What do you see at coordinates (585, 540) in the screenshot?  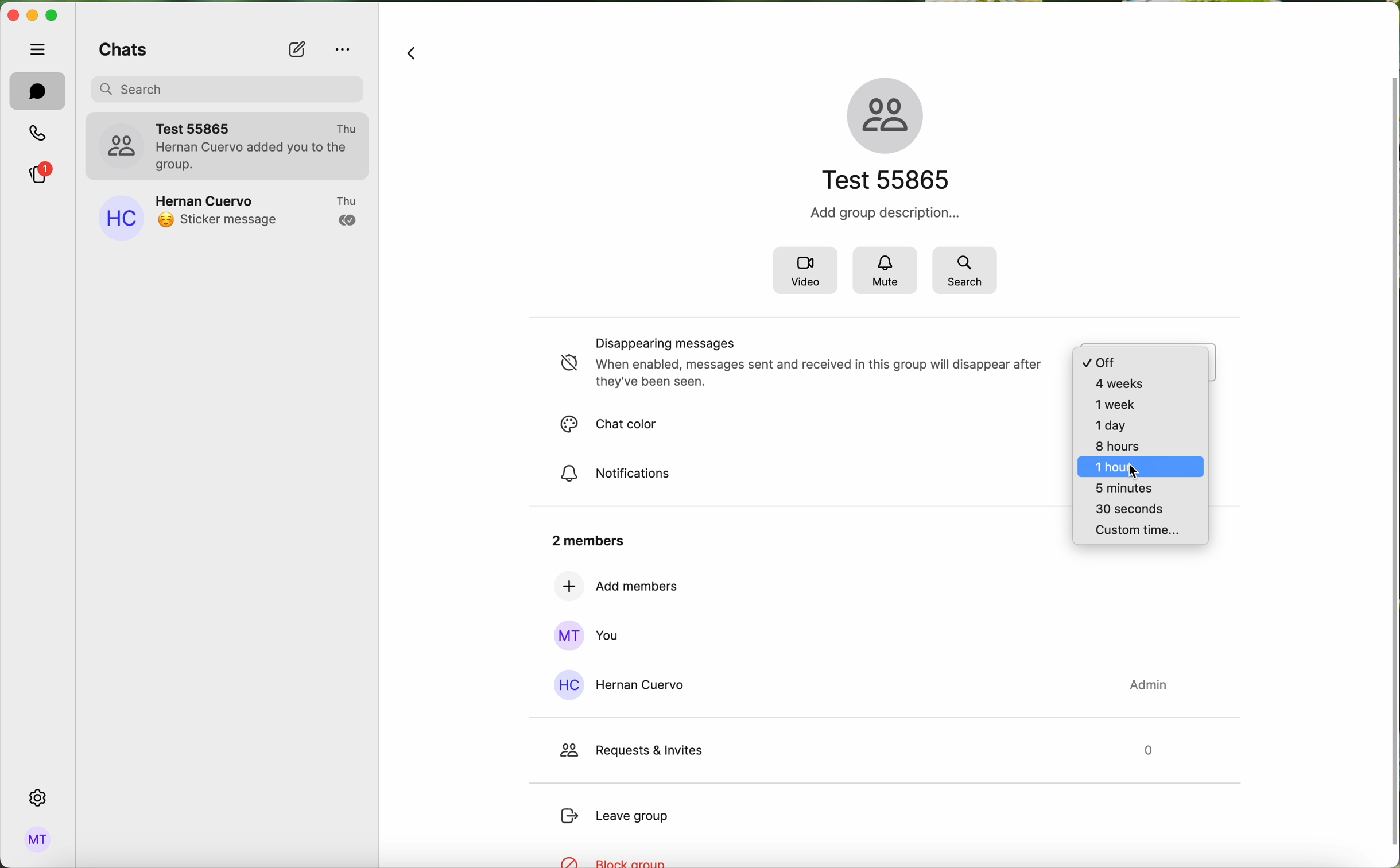 I see `2 members` at bounding box center [585, 540].